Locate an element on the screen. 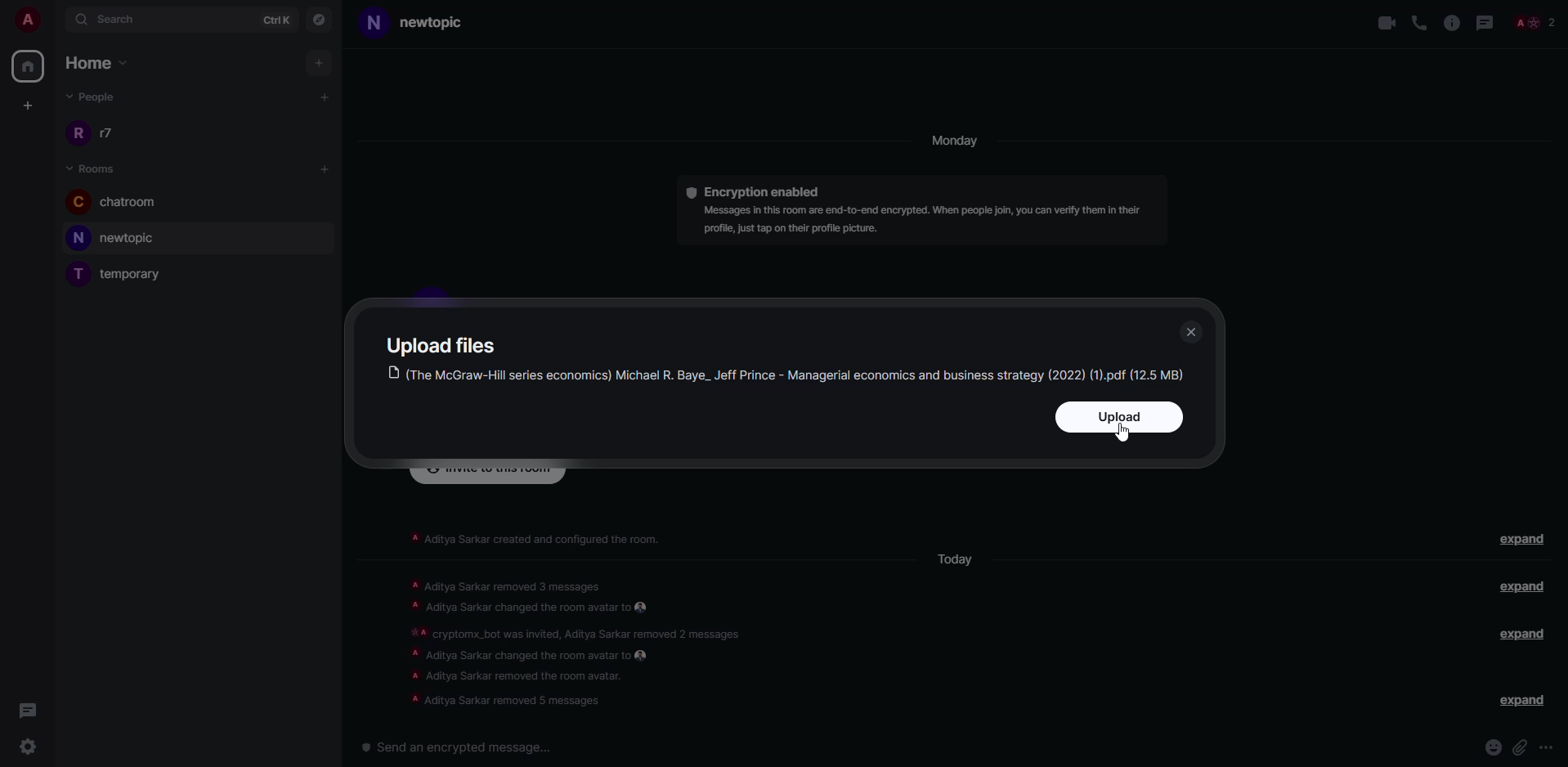 Image resolution: width=1568 pixels, height=767 pixels. expand is located at coordinates (1520, 587).